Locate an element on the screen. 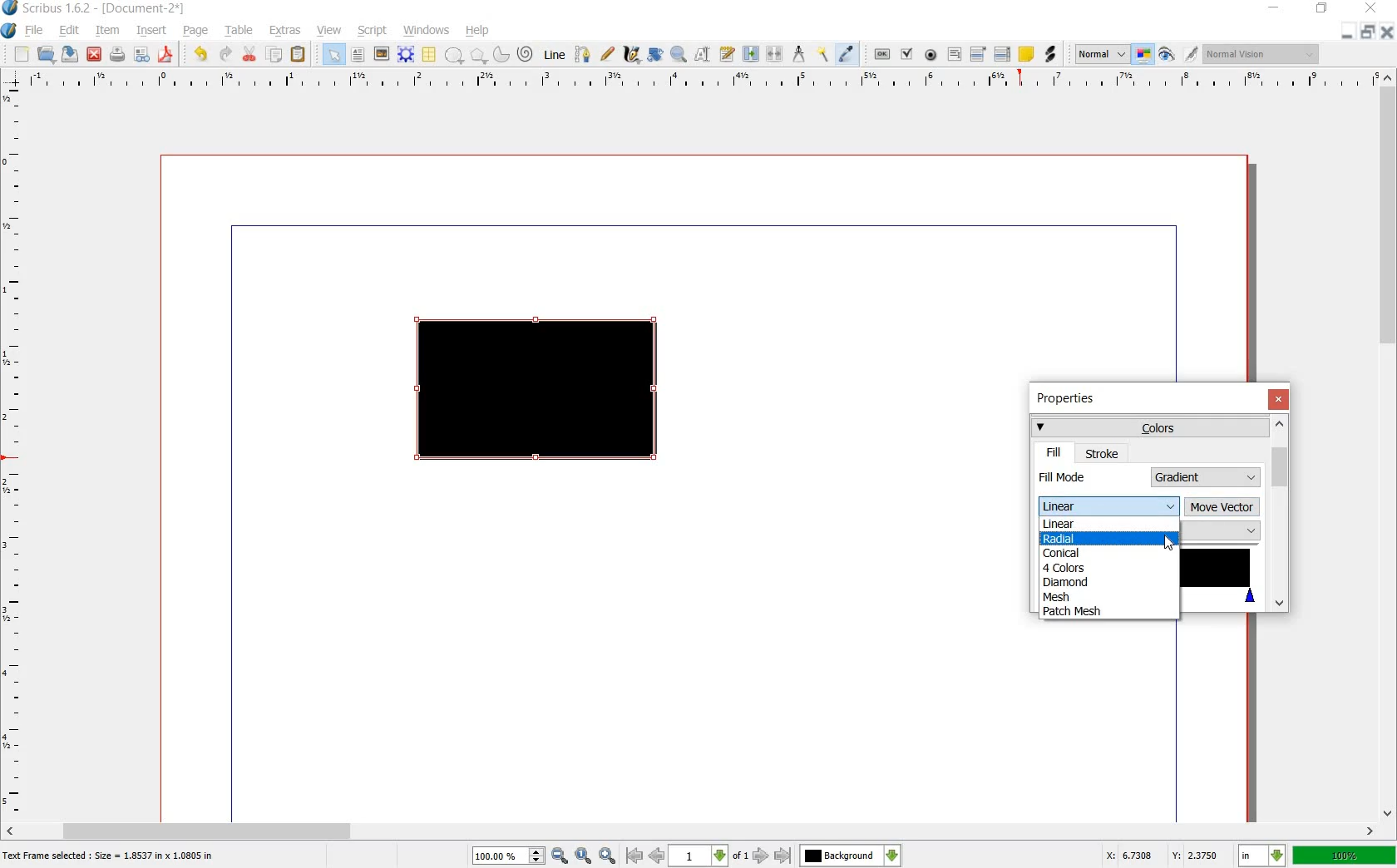 This screenshot has width=1397, height=868. conical is located at coordinates (1071, 553).